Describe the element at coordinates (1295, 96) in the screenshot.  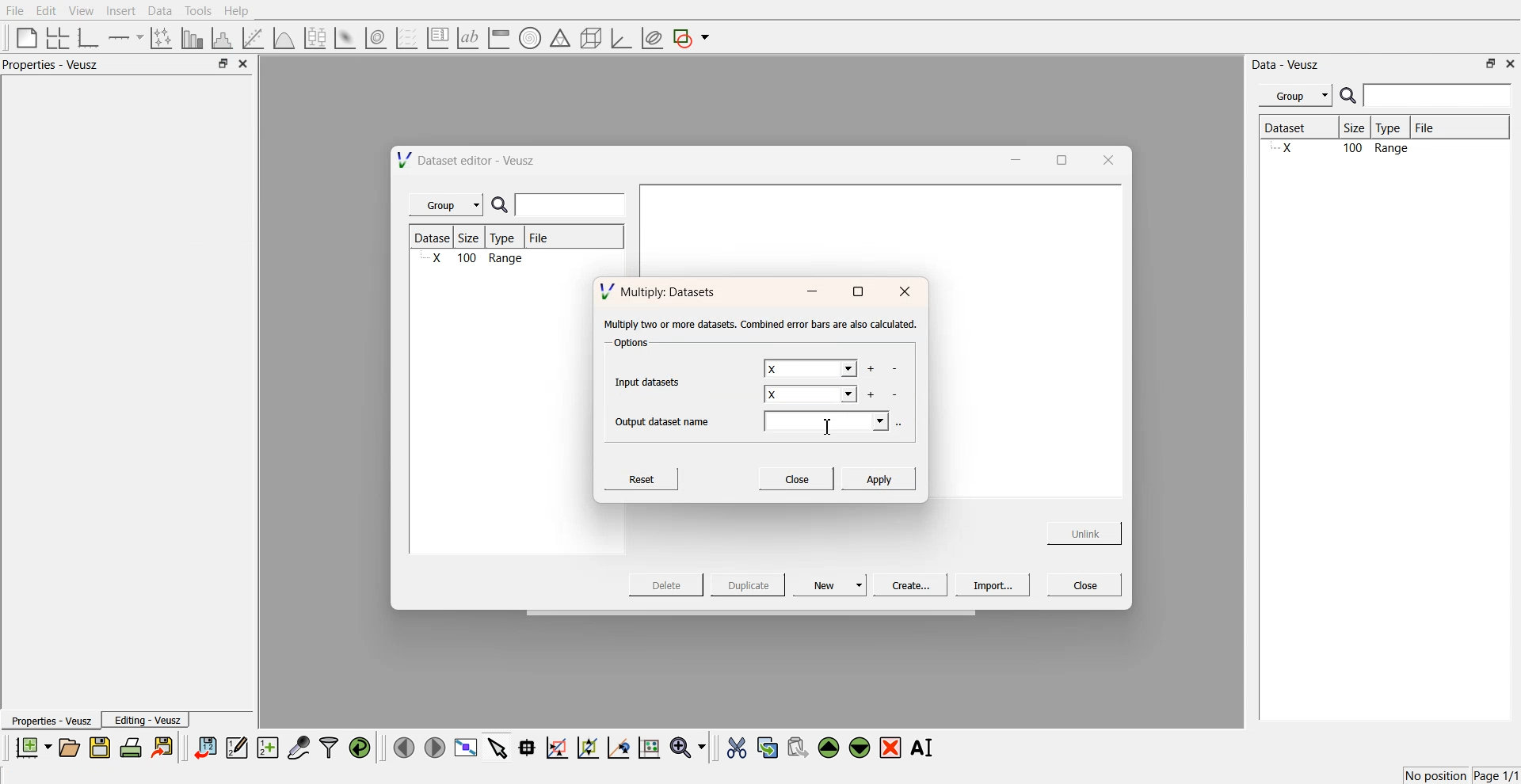
I see `` at that location.